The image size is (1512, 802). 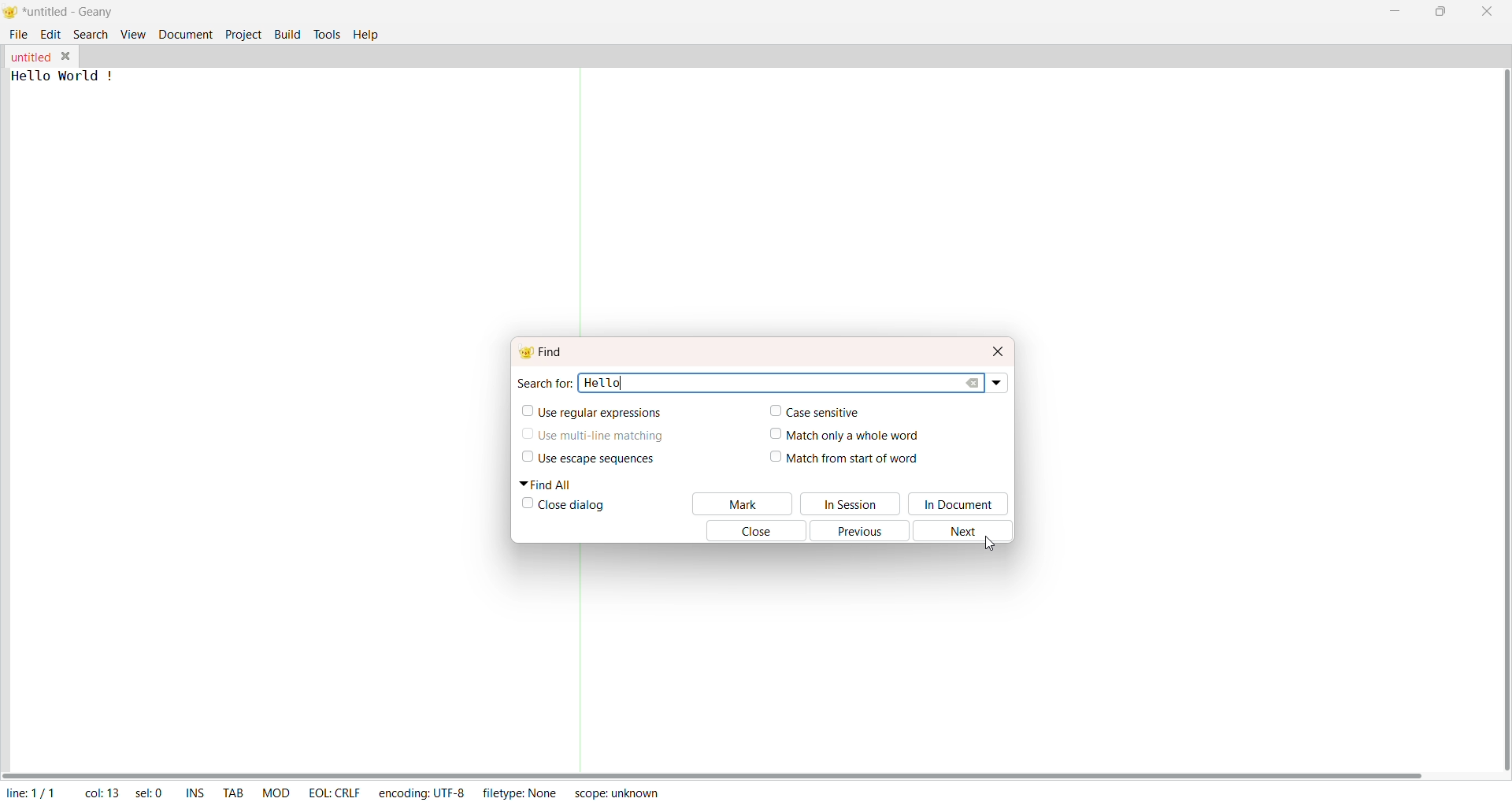 I want to click on Find, so click(x=547, y=350).